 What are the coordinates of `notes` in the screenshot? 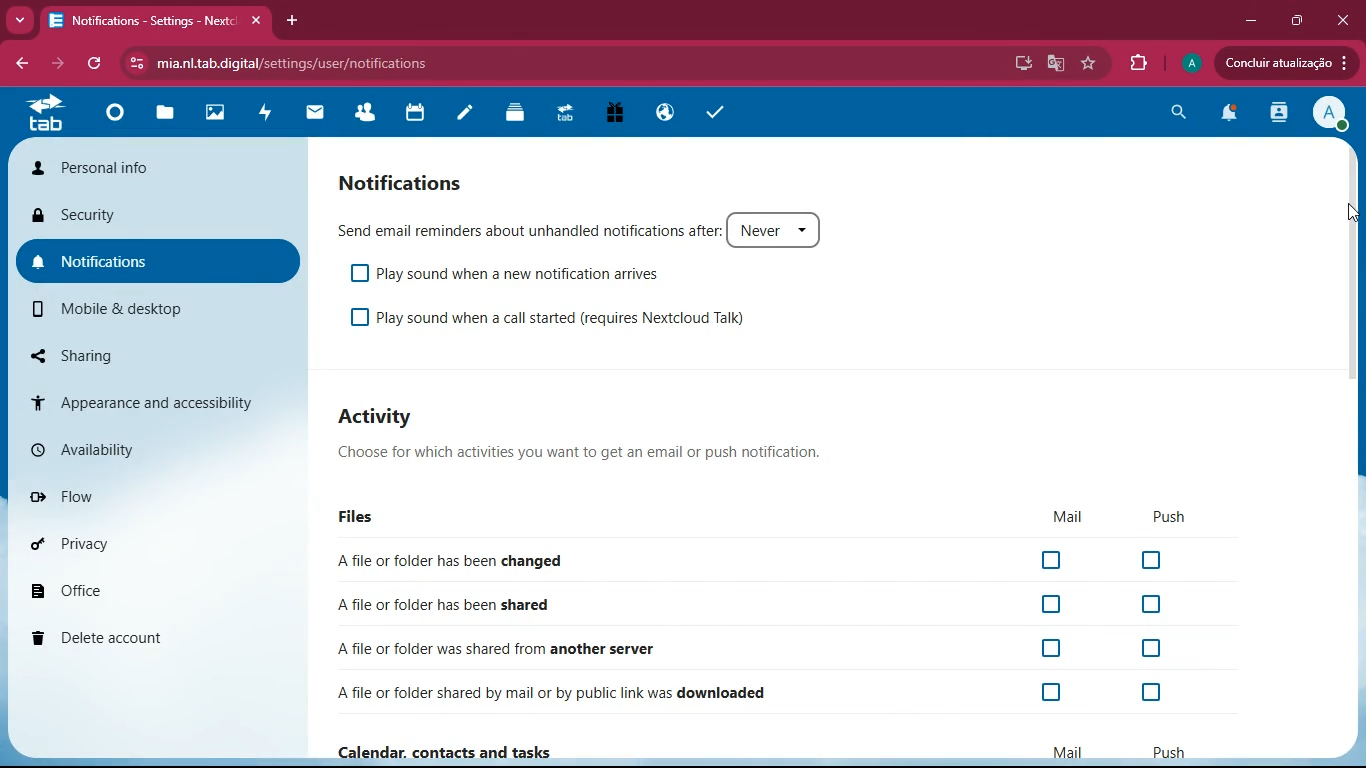 It's located at (462, 117).